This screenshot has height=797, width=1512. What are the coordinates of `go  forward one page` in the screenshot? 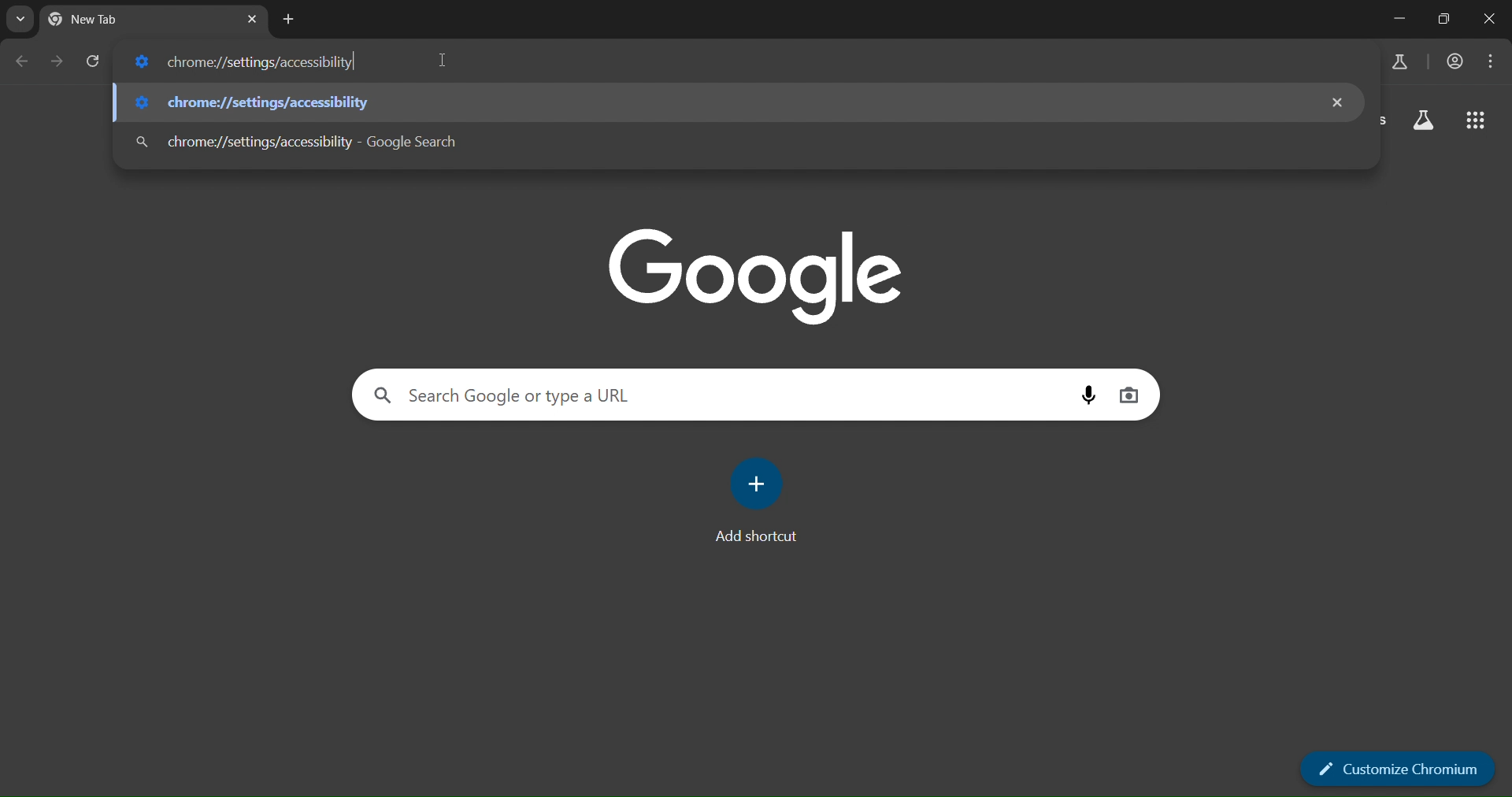 It's located at (58, 66).